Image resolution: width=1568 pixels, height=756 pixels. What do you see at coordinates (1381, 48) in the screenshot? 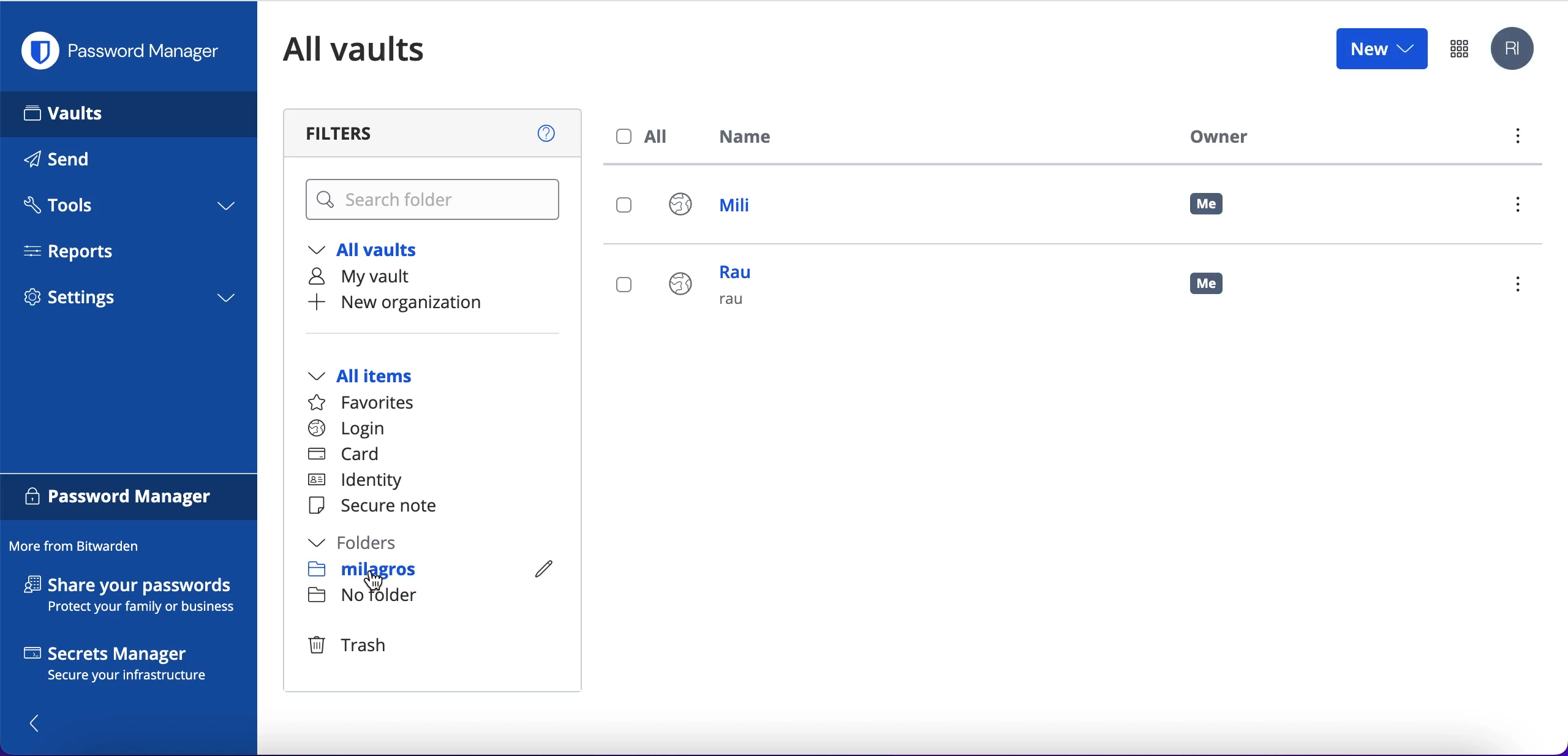
I see `new` at bounding box center [1381, 48].